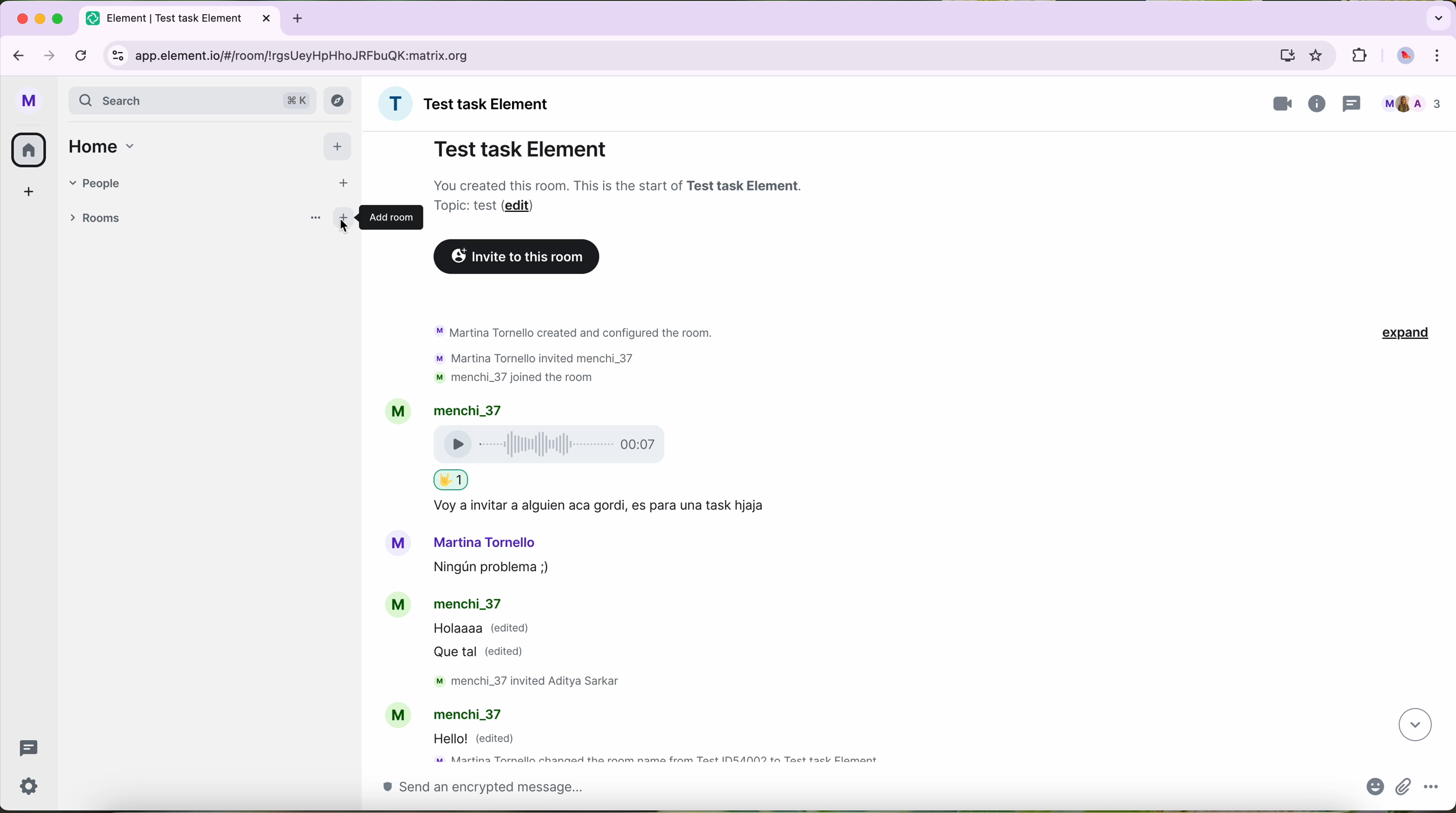 Image resolution: width=1456 pixels, height=813 pixels. Describe the element at coordinates (118, 57) in the screenshot. I see `controls` at that location.